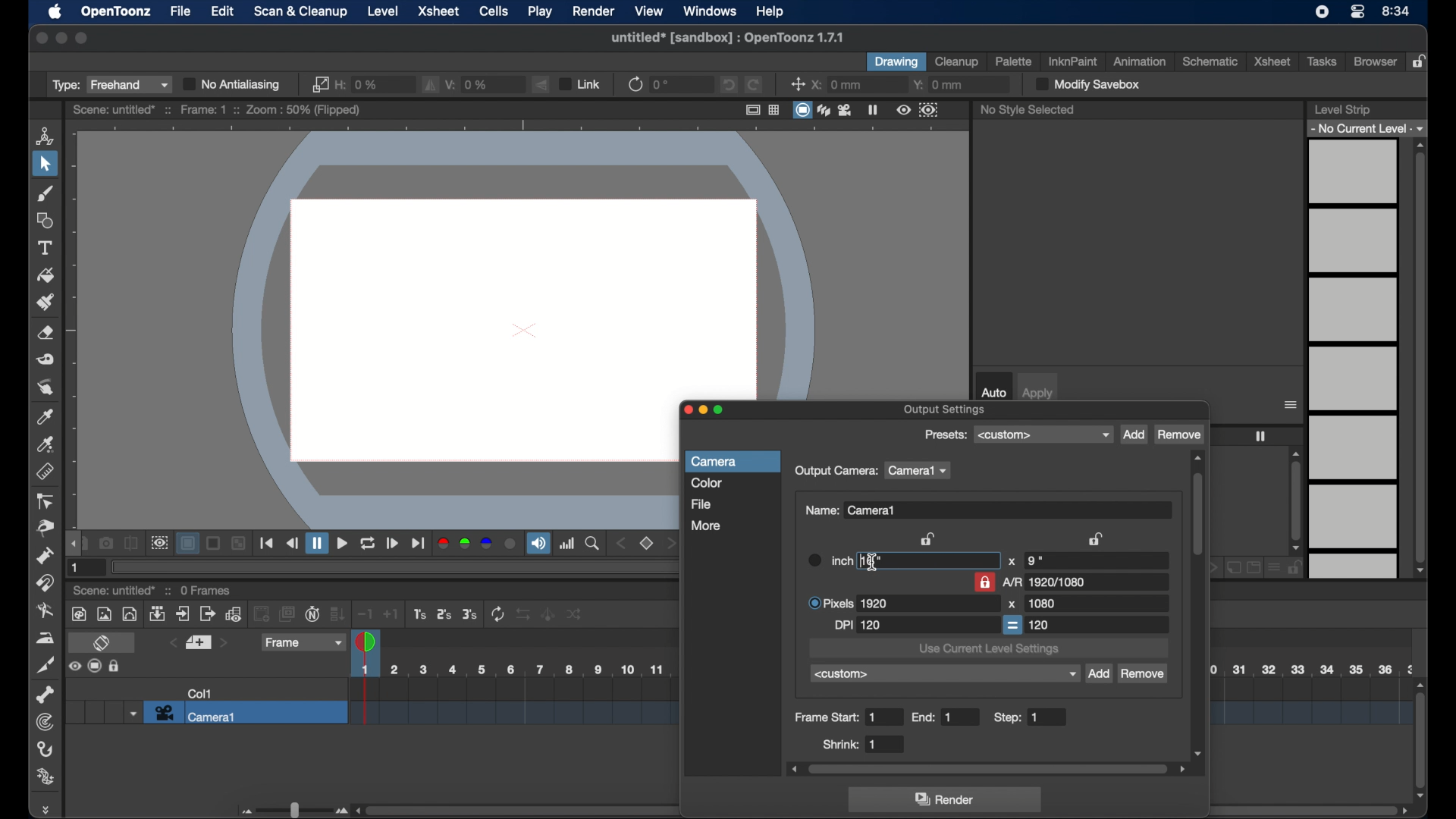 This screenshot has height=819, width=1456. I want to click on , so click(419, 613).